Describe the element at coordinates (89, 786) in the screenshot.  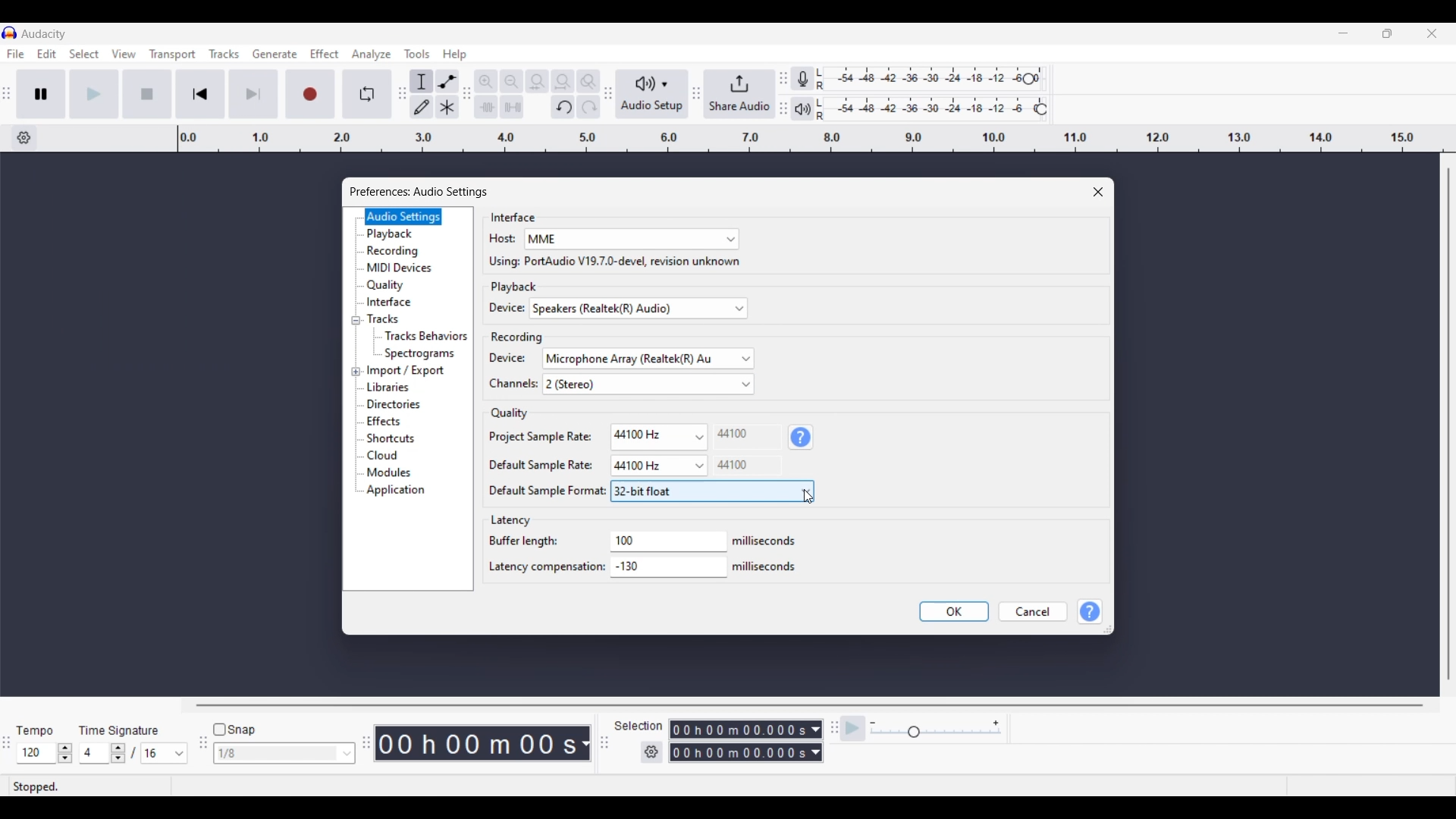
I see `Status of recording` at that location.